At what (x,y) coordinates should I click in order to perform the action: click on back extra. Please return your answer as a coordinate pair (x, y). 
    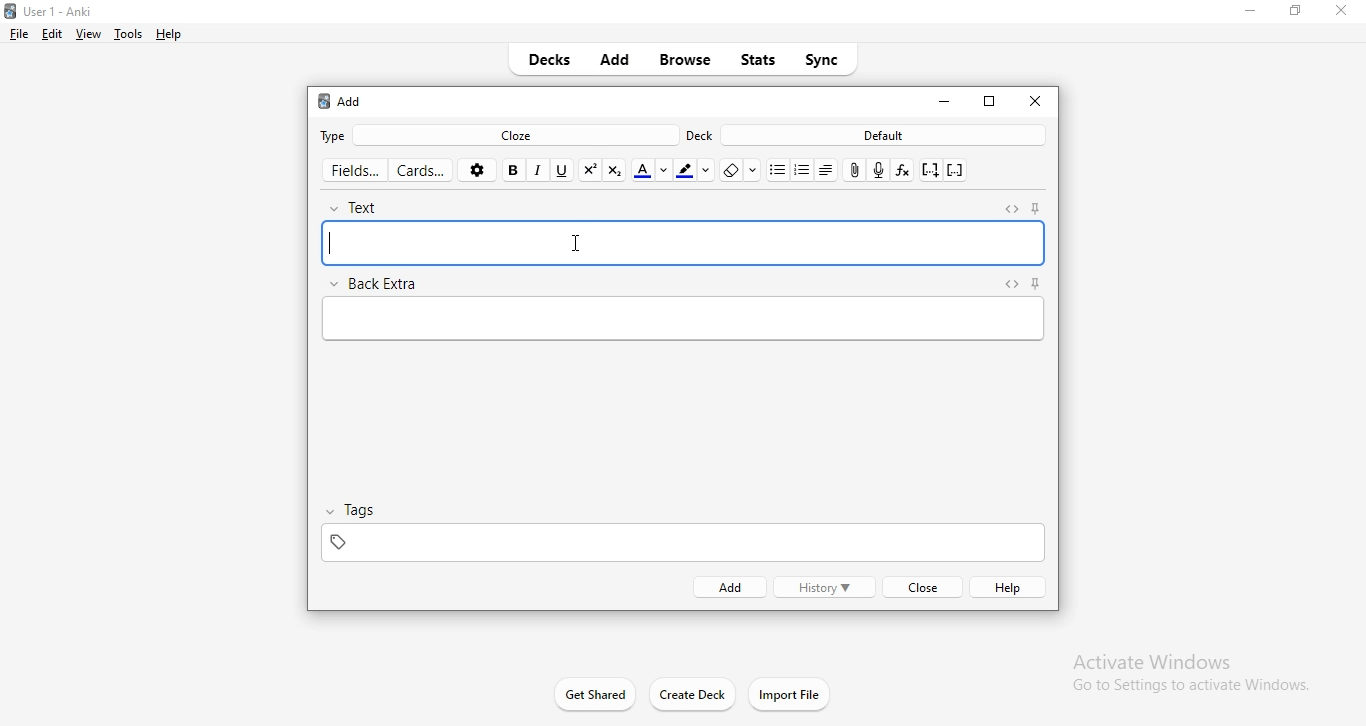
    Looking at the image, I should click on (378, 281).